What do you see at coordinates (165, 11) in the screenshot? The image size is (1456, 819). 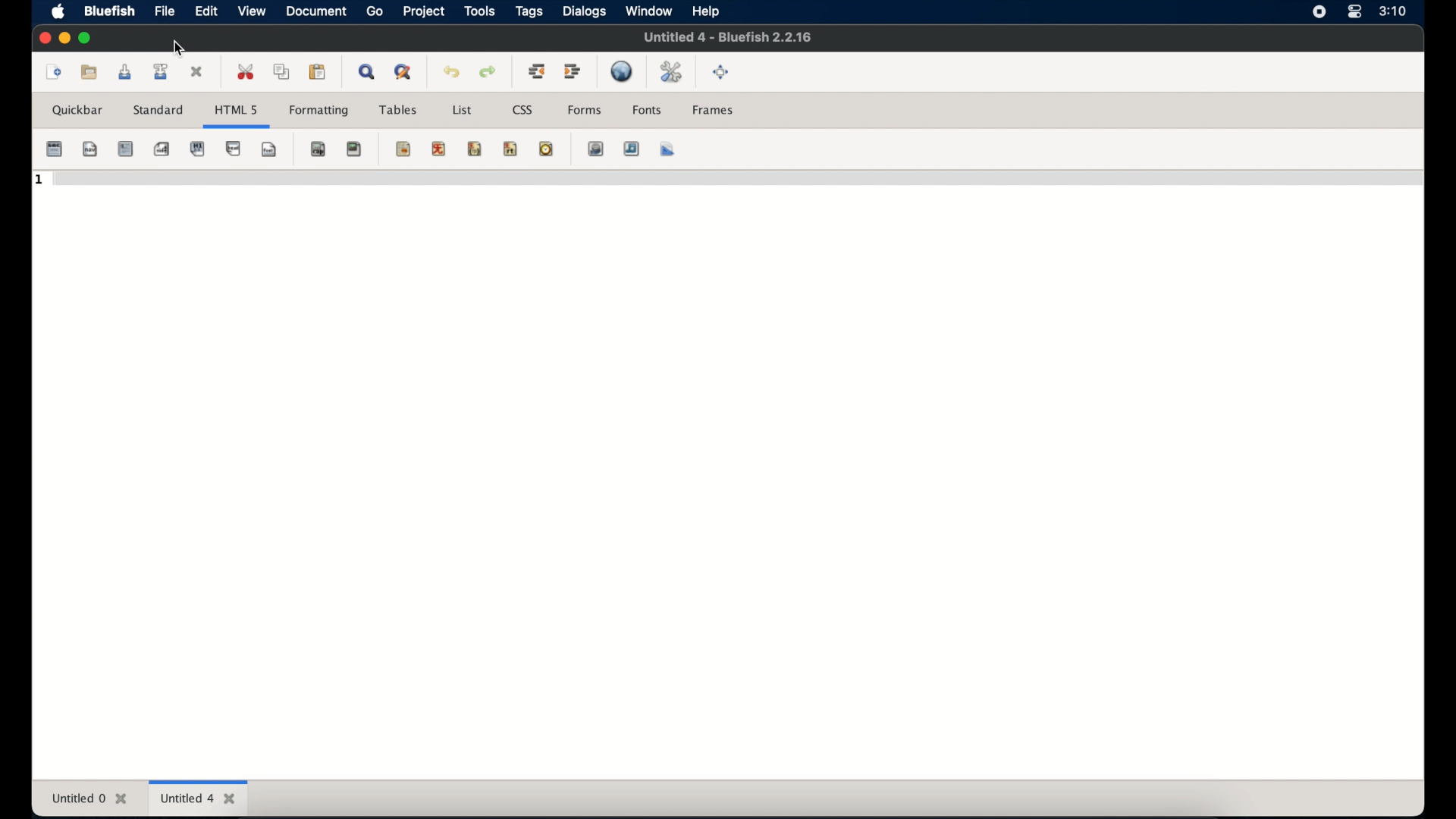 I see `file` at bounding box center [165, 11].